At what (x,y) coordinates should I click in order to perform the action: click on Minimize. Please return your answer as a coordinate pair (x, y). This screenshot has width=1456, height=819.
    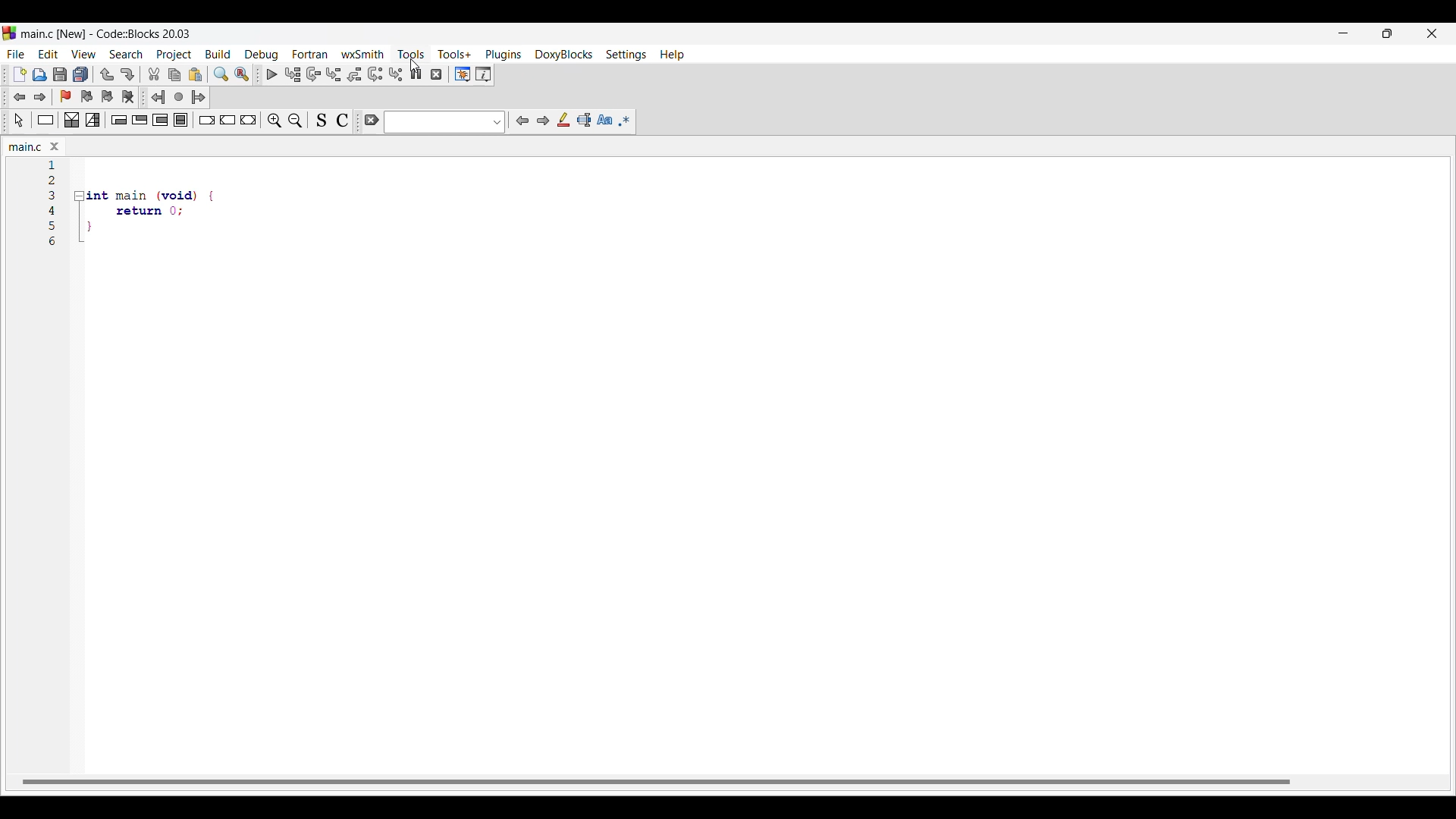
    Looking at the image, I should click on (1344, 33).